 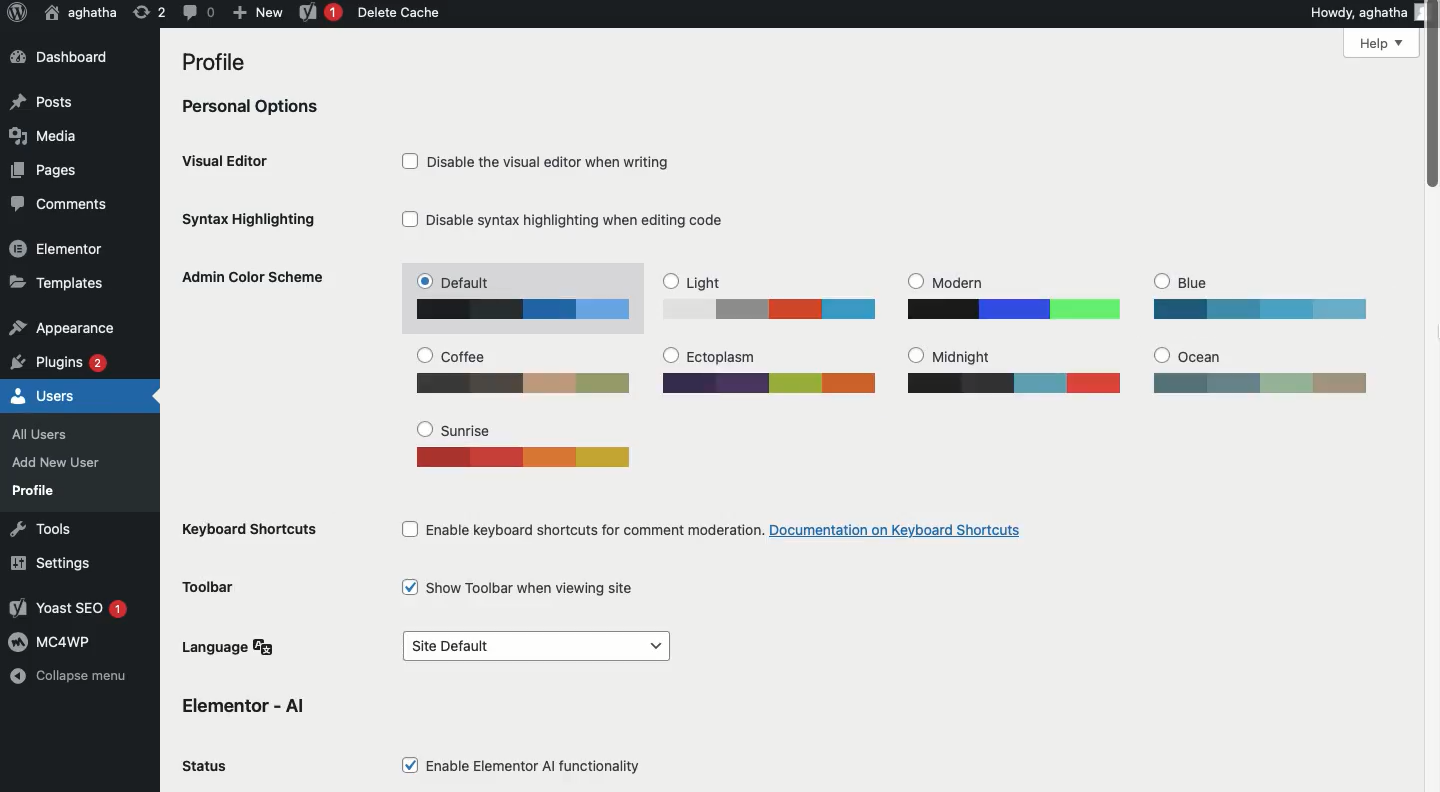 I want to click on Midnight, so click(x=1015, y=368).